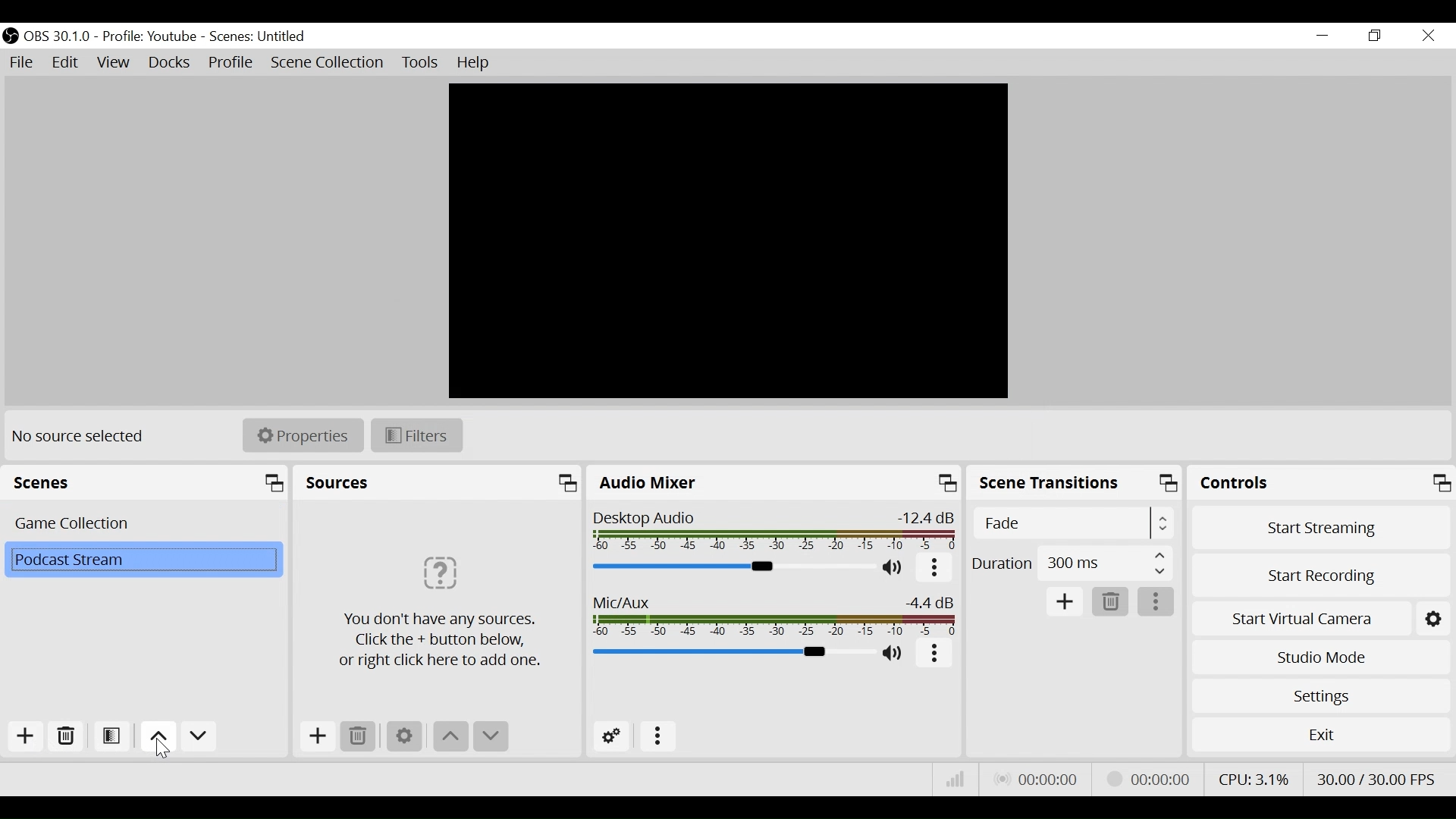  Describe the element at coordinates (1373, 36) in the screenshot. I see `Restore` at that location.